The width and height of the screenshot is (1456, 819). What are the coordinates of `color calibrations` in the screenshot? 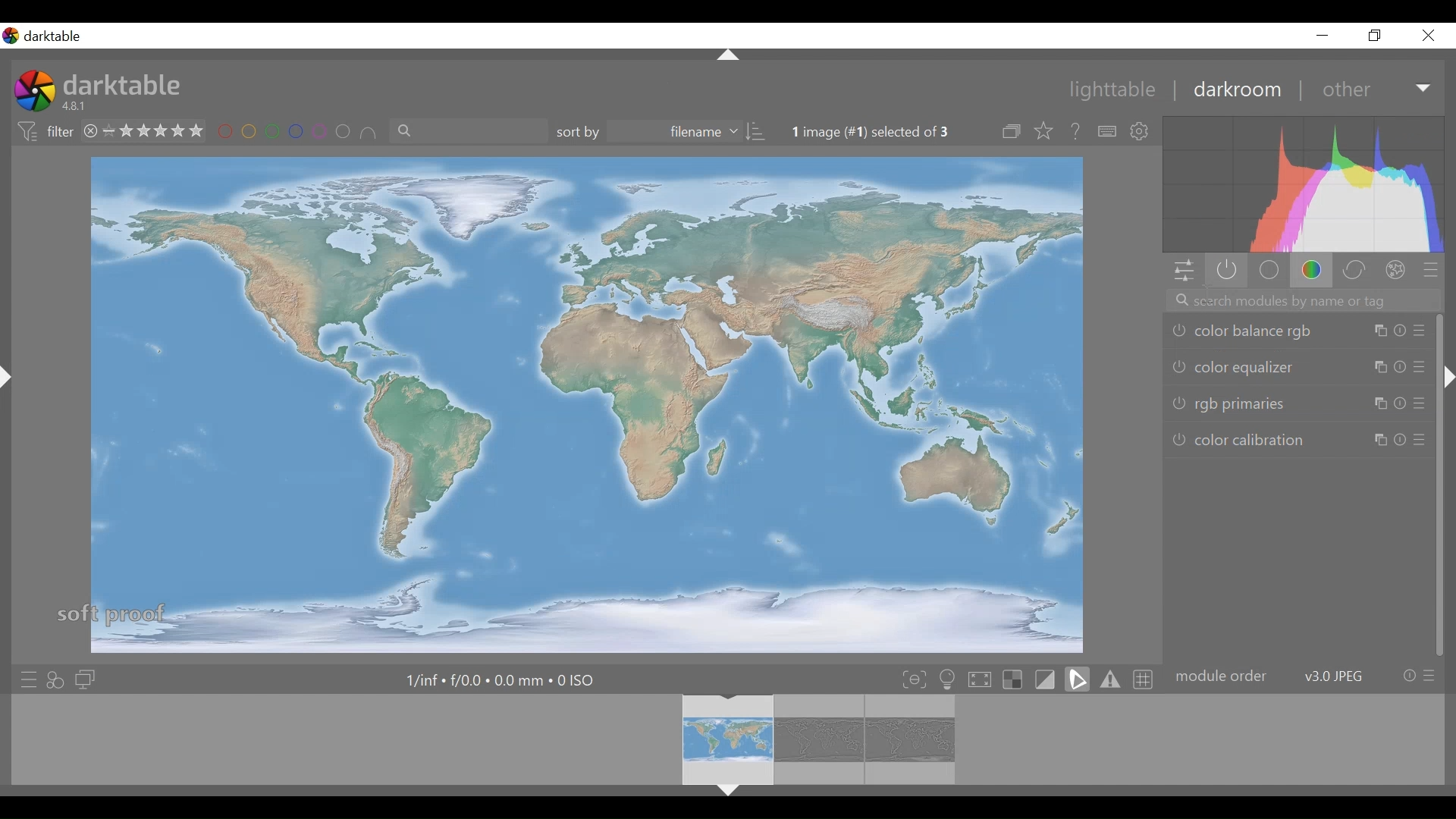 It's located at (1301, 441).